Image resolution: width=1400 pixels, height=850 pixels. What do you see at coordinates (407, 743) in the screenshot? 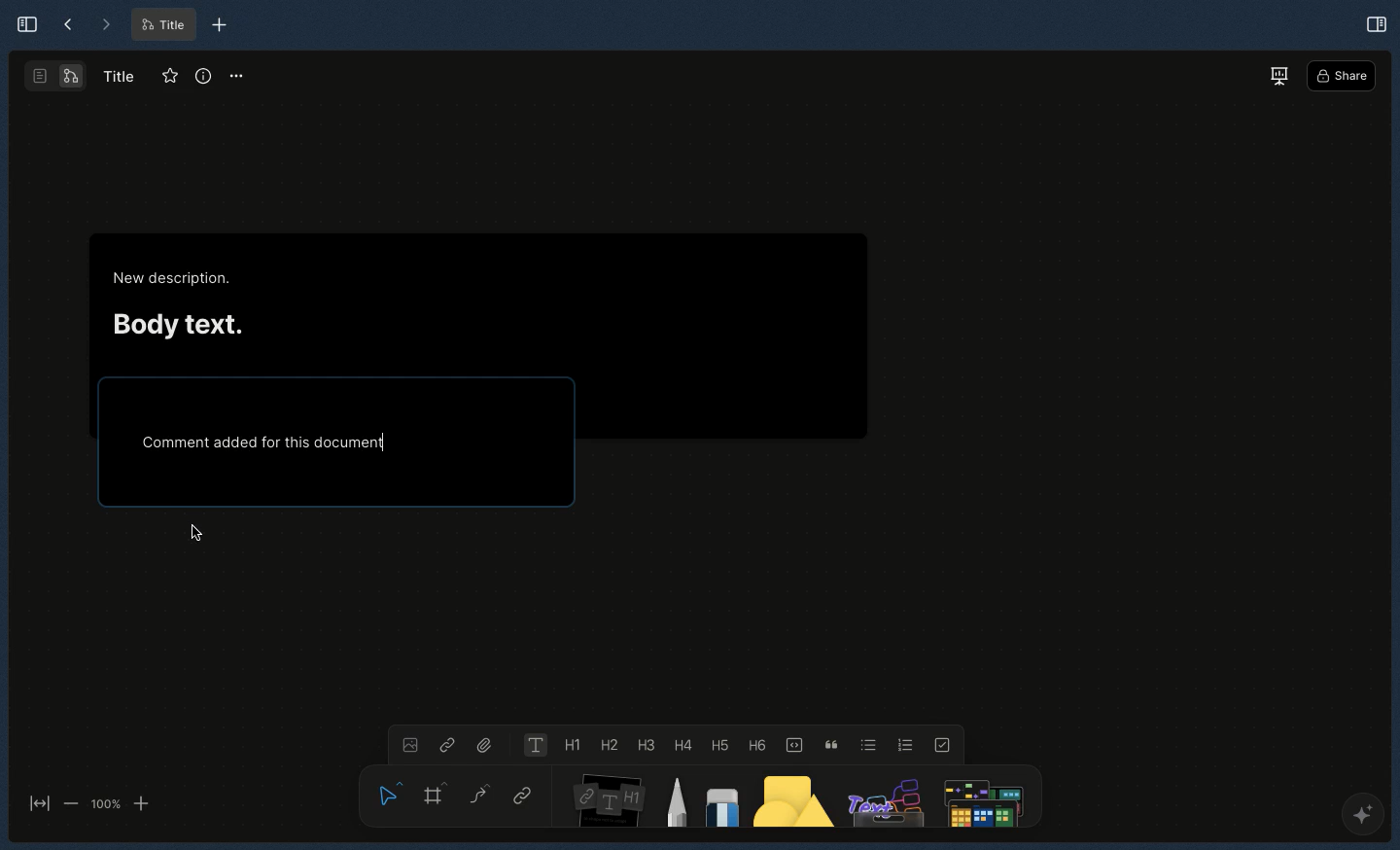
I see `Image` at bounding box center [407, 743].